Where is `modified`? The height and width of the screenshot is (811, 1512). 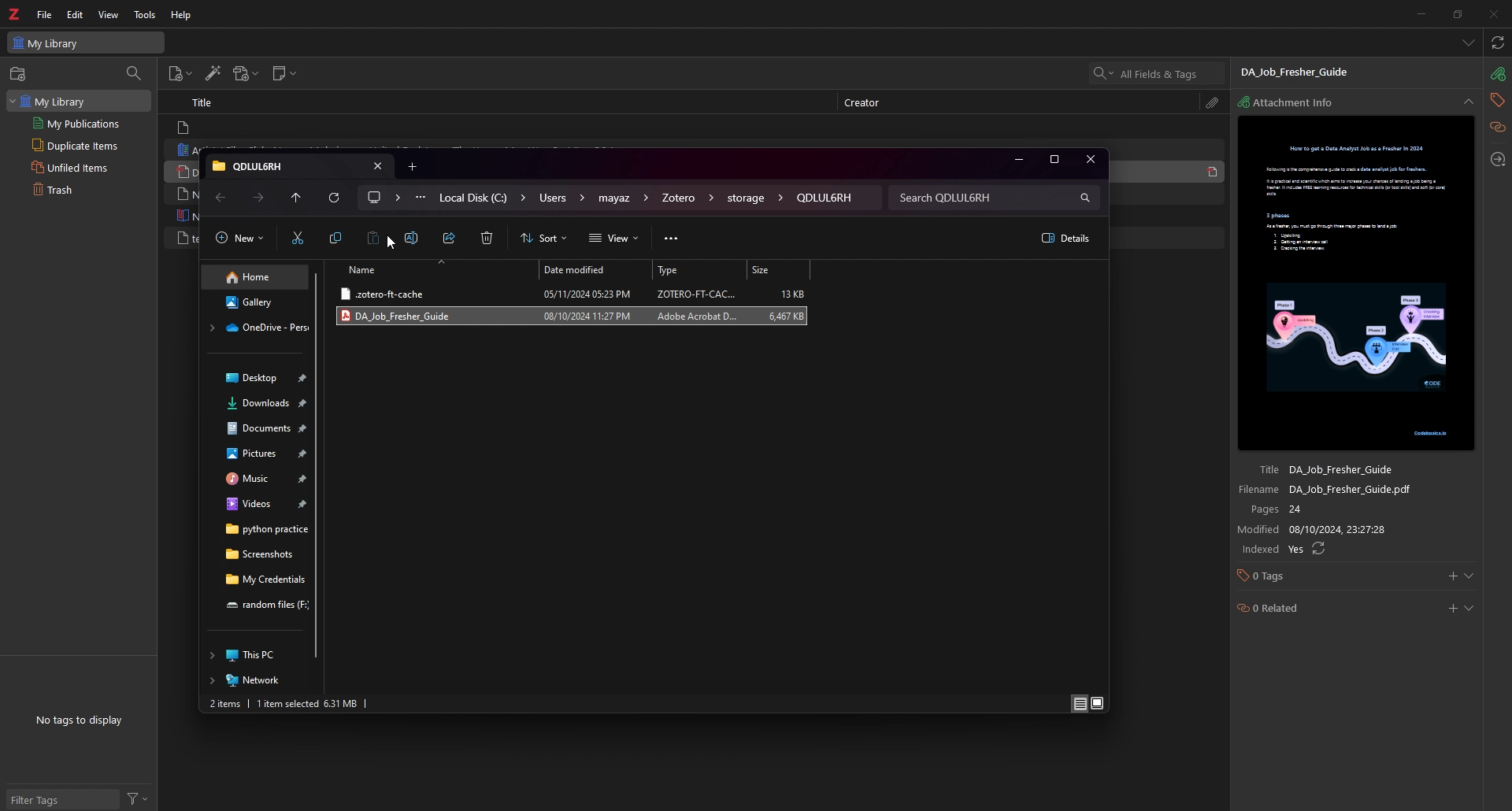
modified is located at coordinates (1346, 530).